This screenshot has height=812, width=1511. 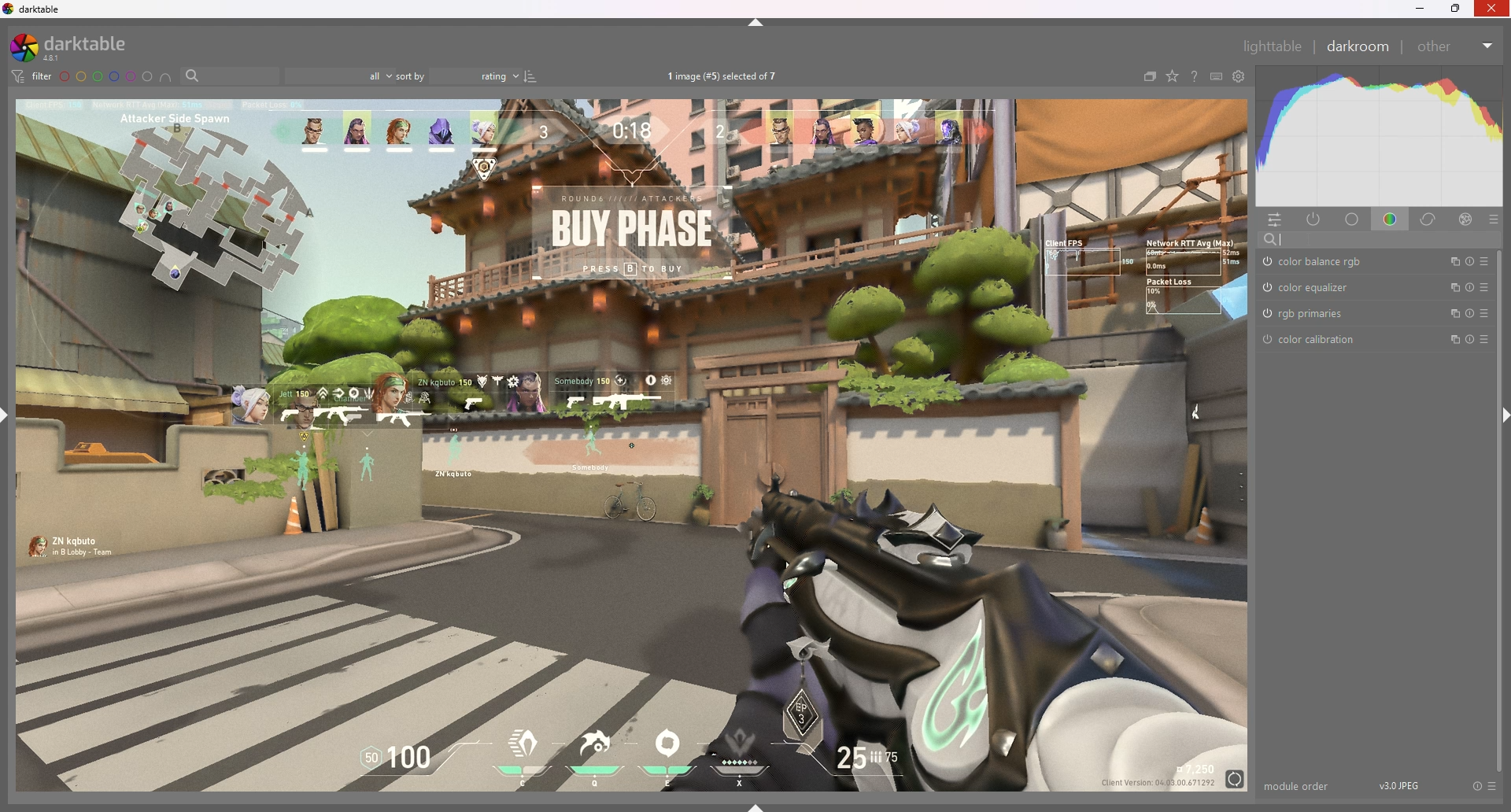 What do you see at coordinates (1486, 287) in the screenshot?
I see `presets` at bounding box center [1486, 287].